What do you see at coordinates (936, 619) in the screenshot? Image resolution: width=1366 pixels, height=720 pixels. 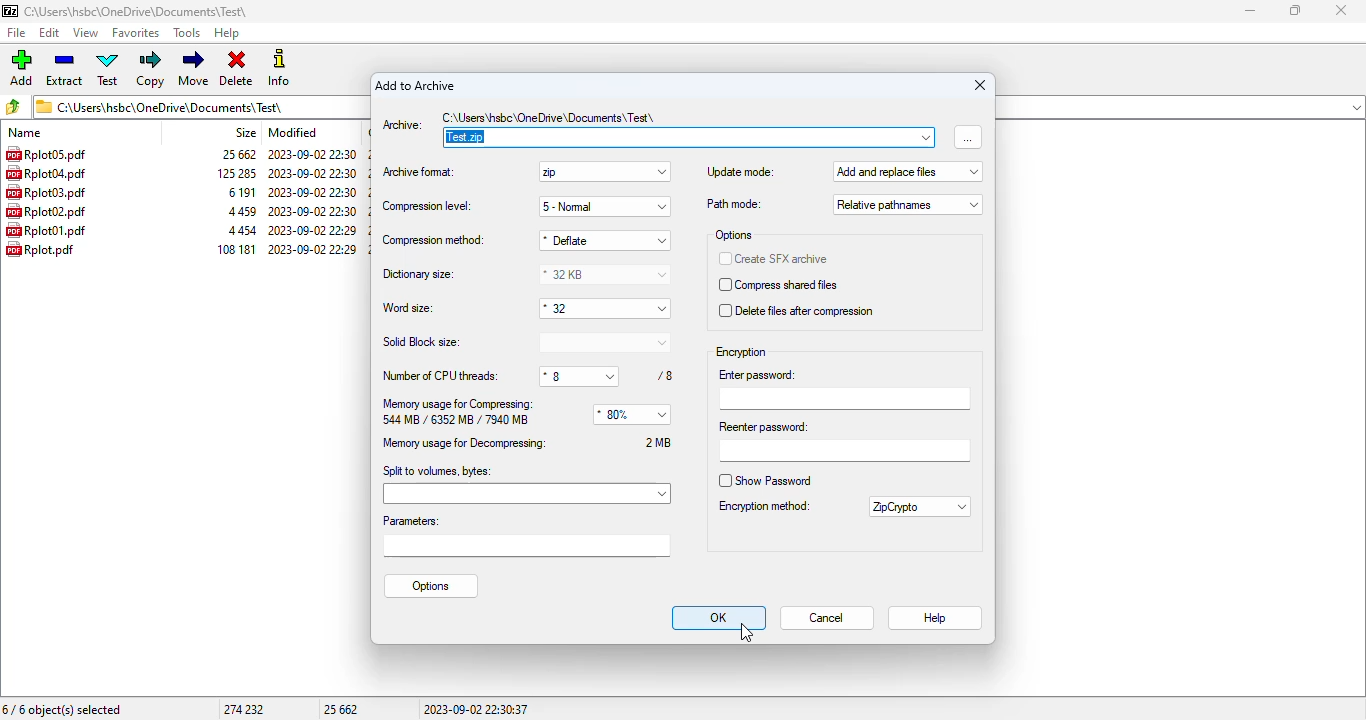 I see `help` at bounding box center [936, 619].